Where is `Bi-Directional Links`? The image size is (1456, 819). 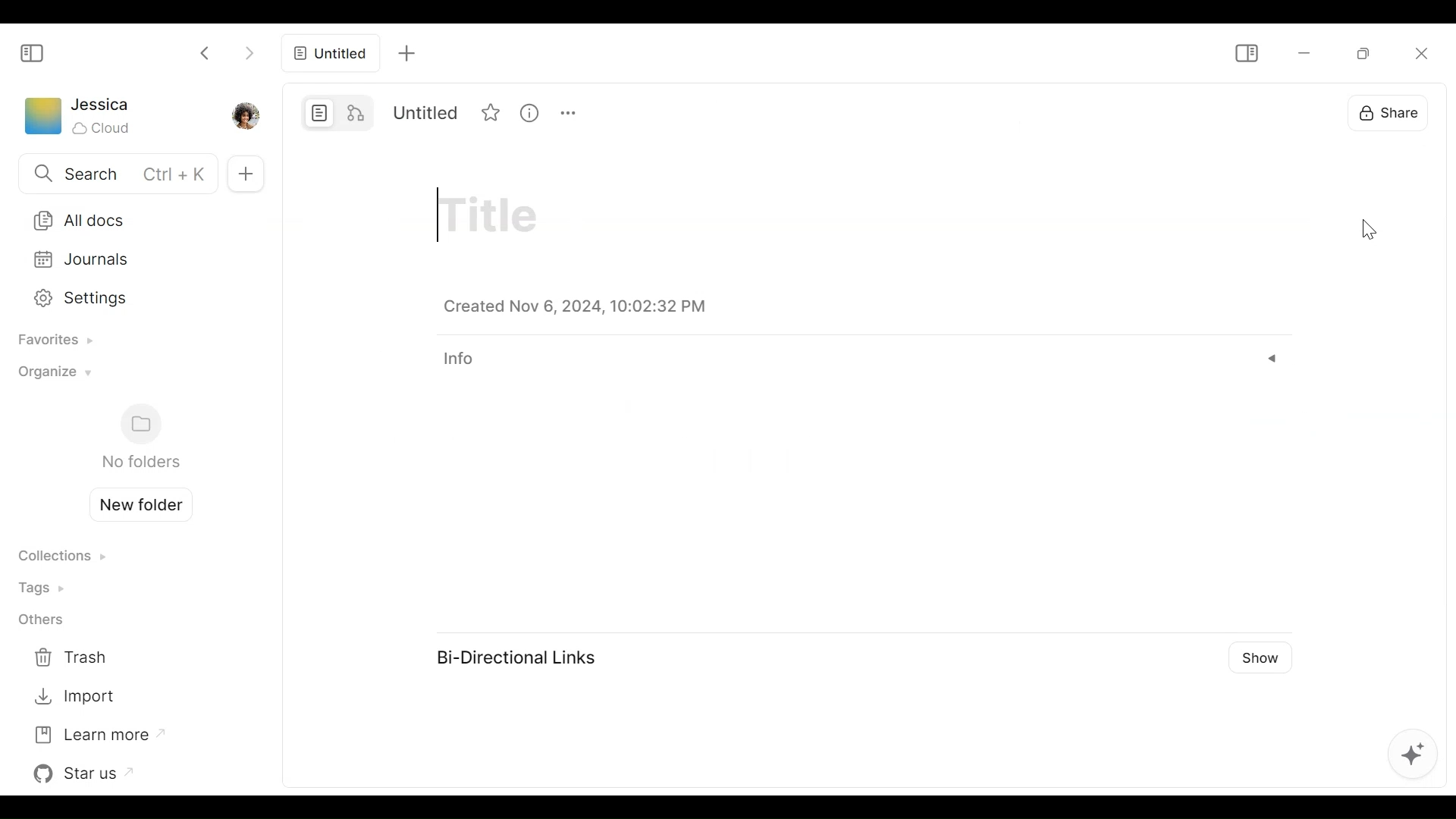 Bi-Directional Links is located at coordinates (516, 657).